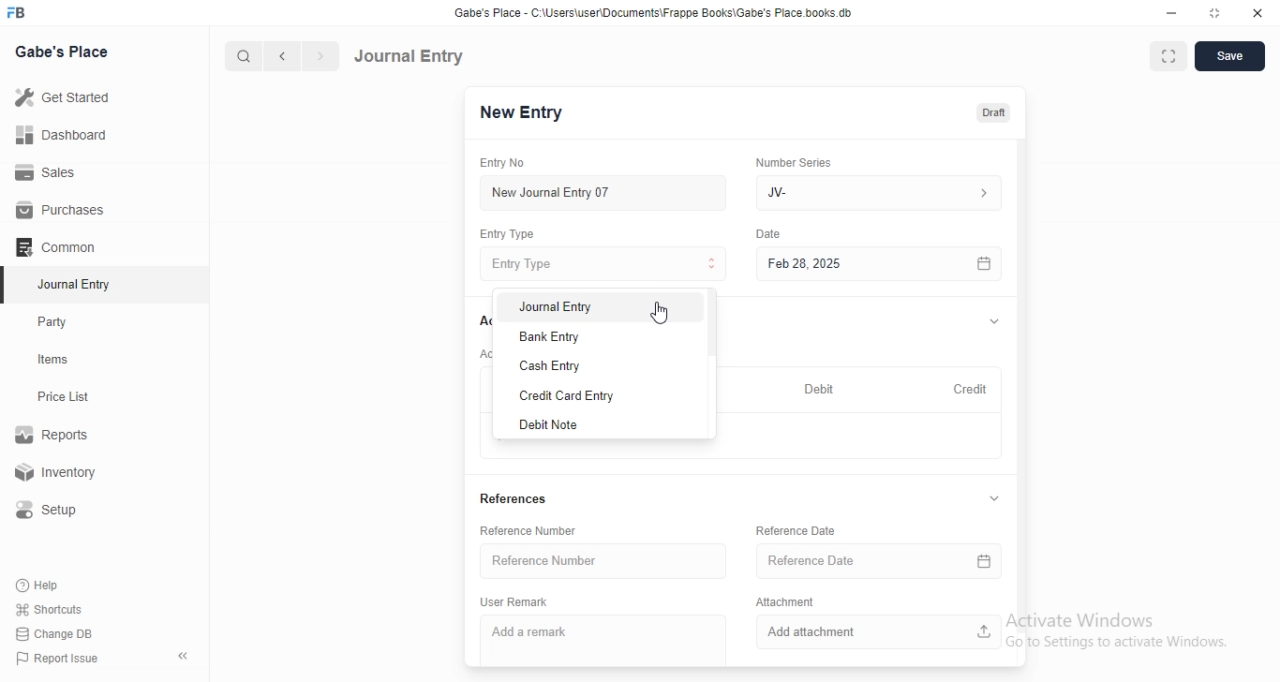 The height and width of the screenshot is (682, 1280). Describe the element at coordinates (549, 425) in the screenshot. I see `Debit Note` at that location.